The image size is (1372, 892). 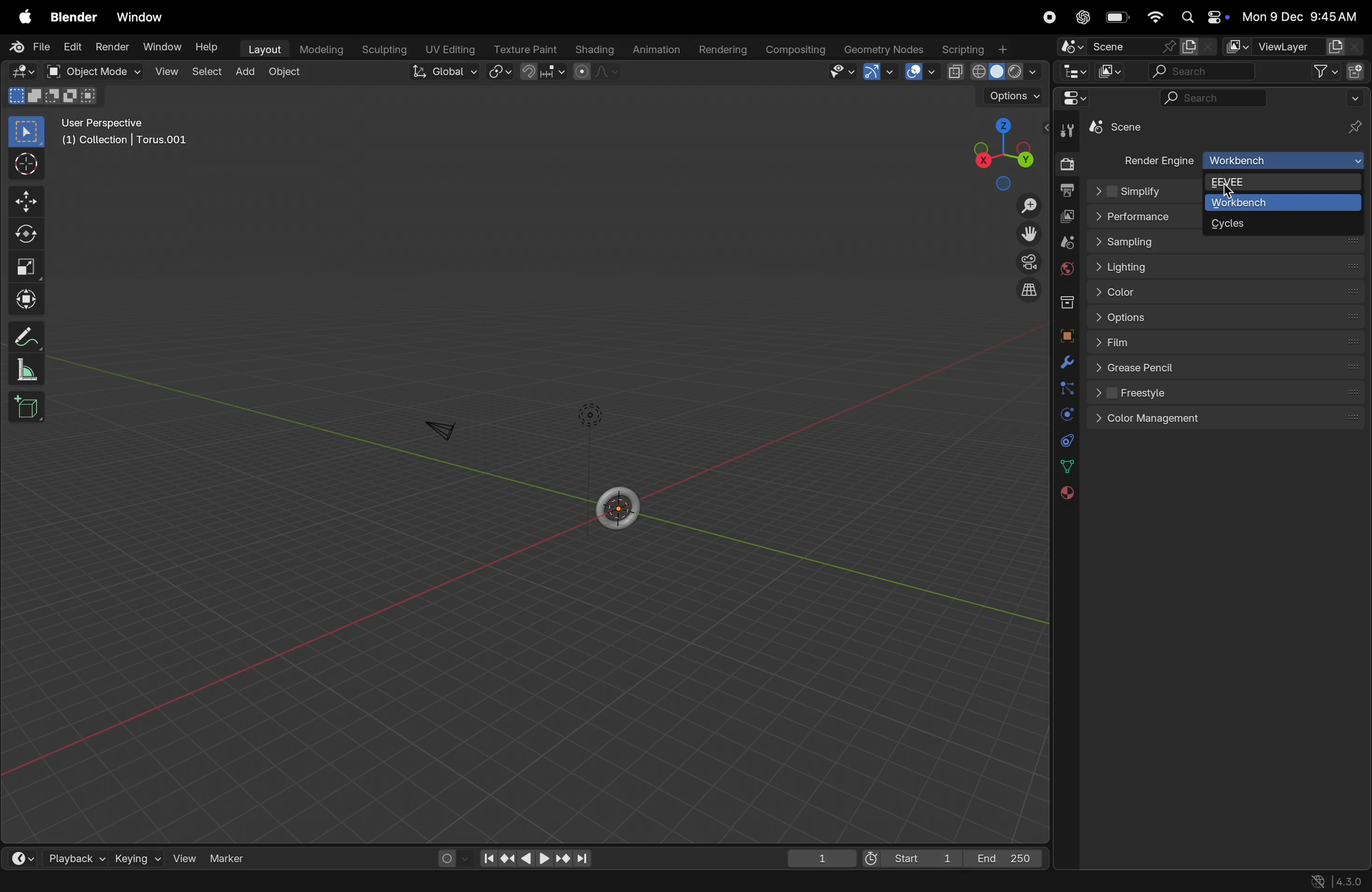 I want to click on add cube, so click(x=31, y=409).